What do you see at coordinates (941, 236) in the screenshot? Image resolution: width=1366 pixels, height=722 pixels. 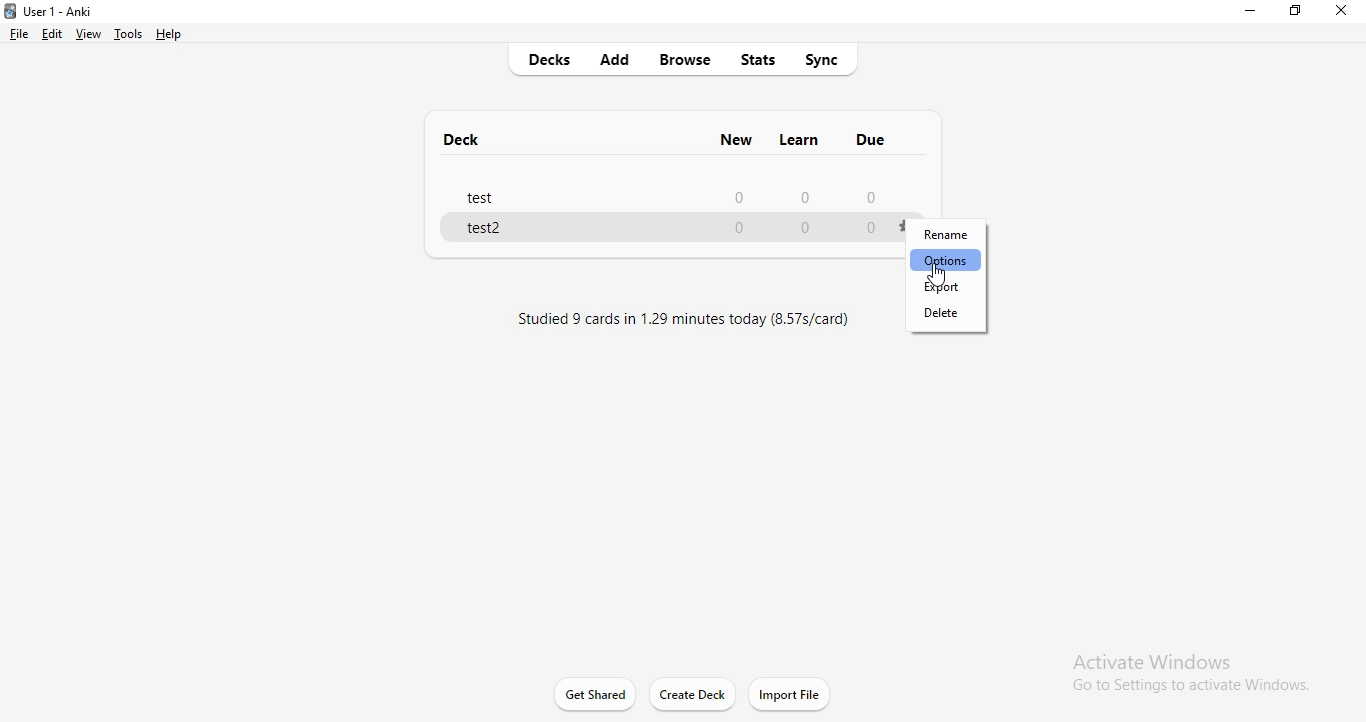 I see `rename` at bounding box center [941, 236].